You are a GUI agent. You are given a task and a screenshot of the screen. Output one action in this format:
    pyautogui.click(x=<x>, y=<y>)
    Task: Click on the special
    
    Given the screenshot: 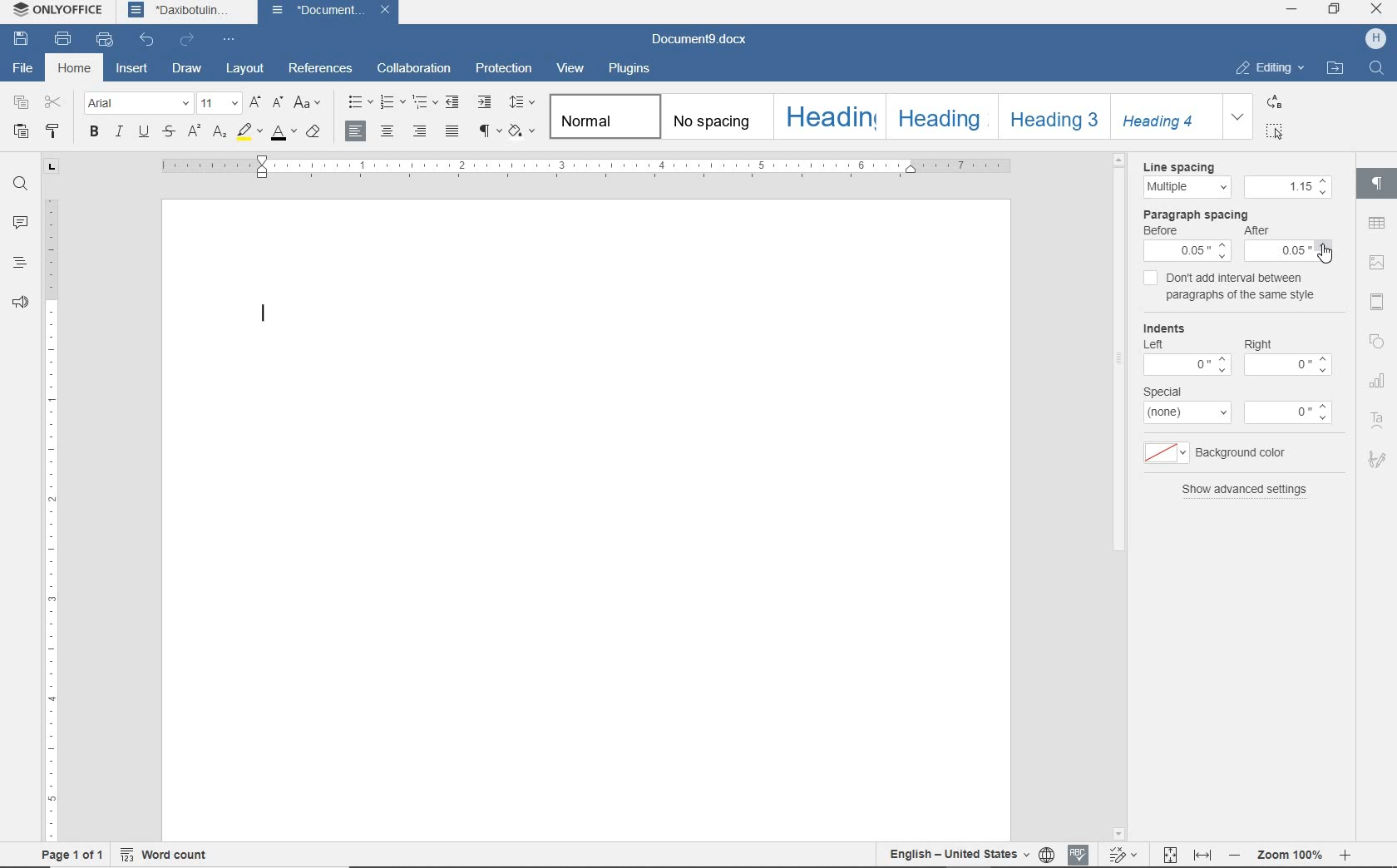 What is the action you would take?
    pyautogui.click(x=1162, y=392)
    